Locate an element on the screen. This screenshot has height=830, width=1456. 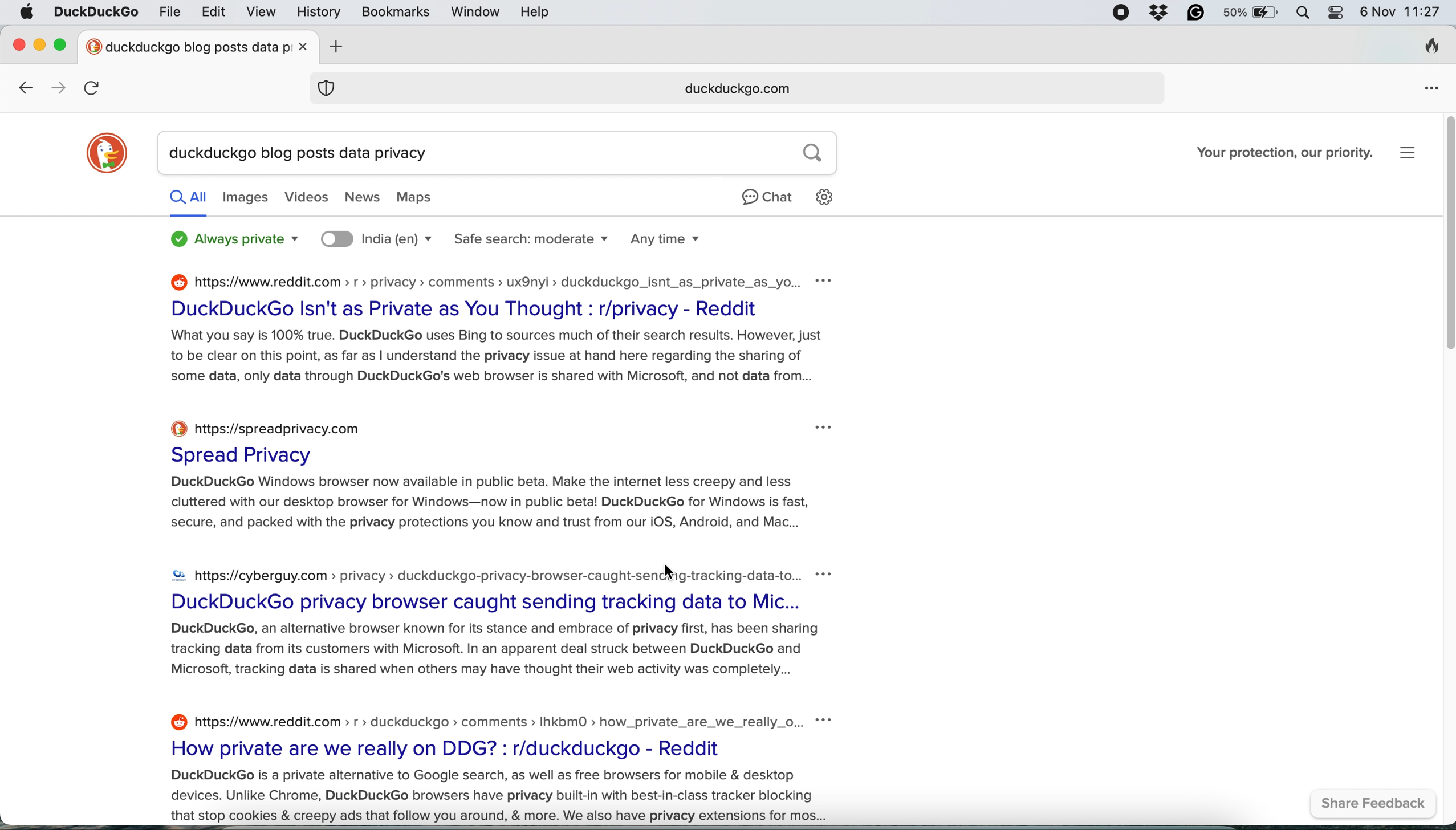
How private are we really on DDG? : r/duckduckgo - Reddit is located at coordinates (460, 750).